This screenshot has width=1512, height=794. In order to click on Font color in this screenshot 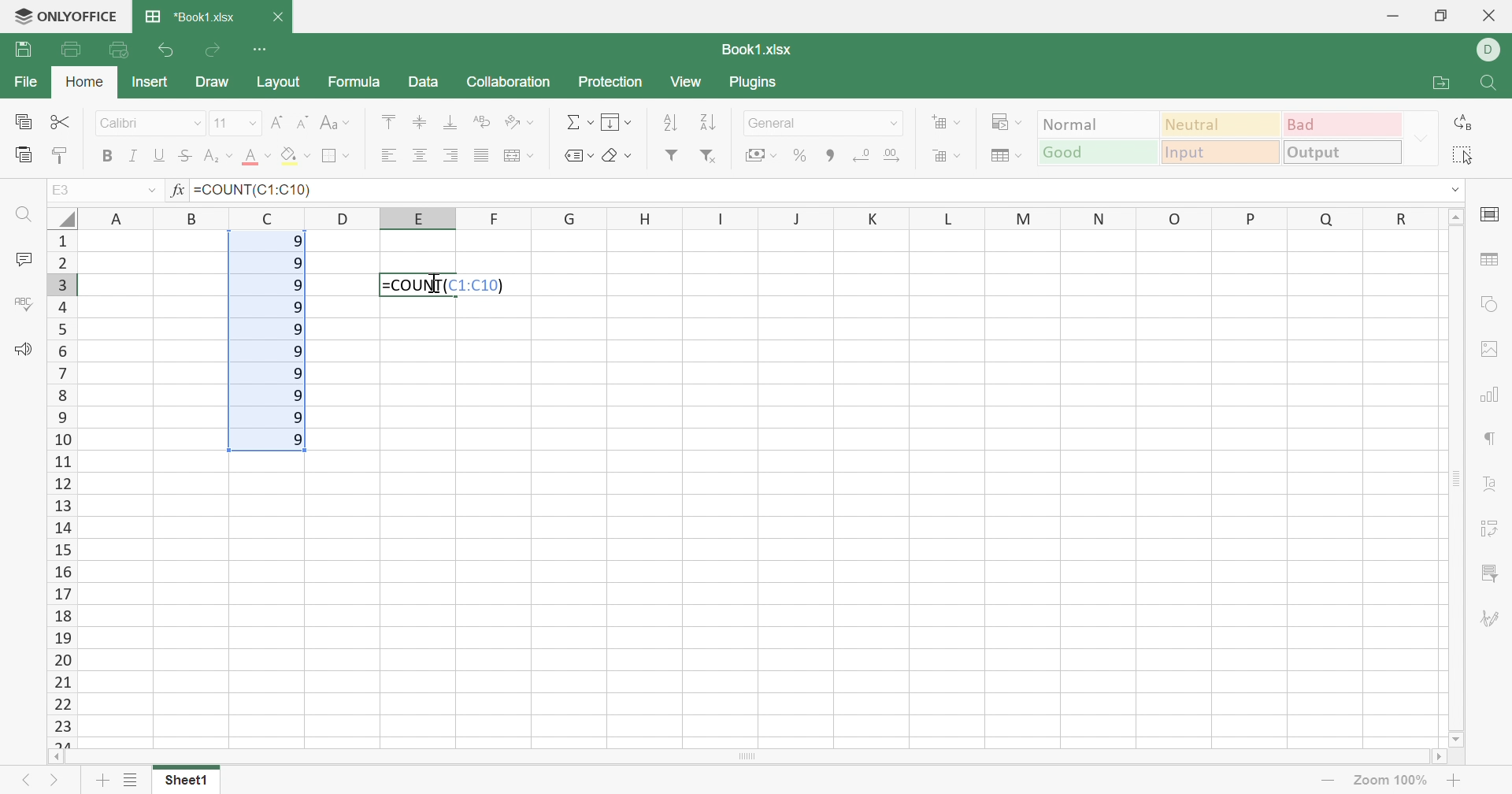, I will do `click(256, 158)`.